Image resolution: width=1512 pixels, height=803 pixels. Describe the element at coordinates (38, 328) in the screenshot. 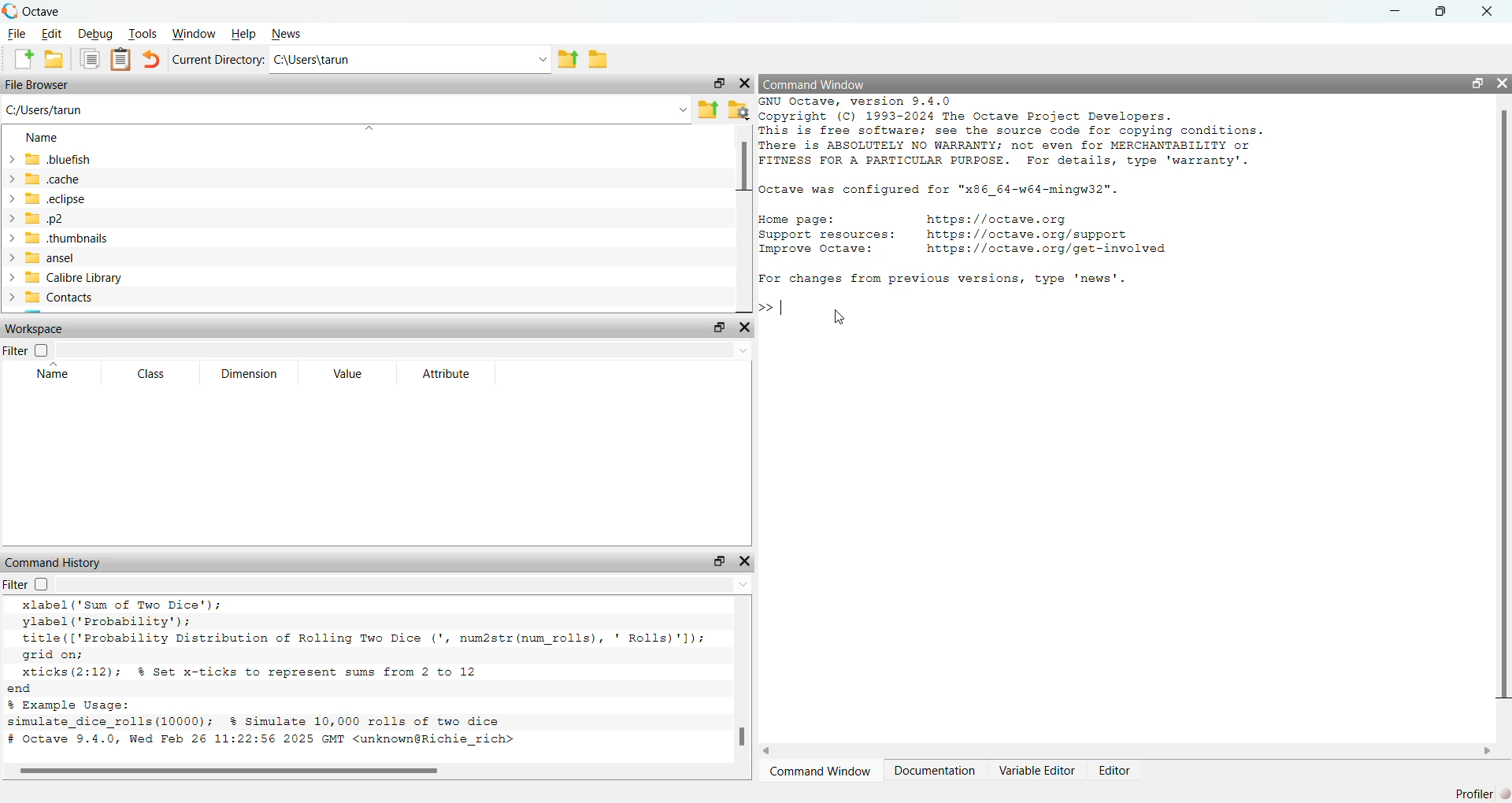

I see `Workspace` at that location.